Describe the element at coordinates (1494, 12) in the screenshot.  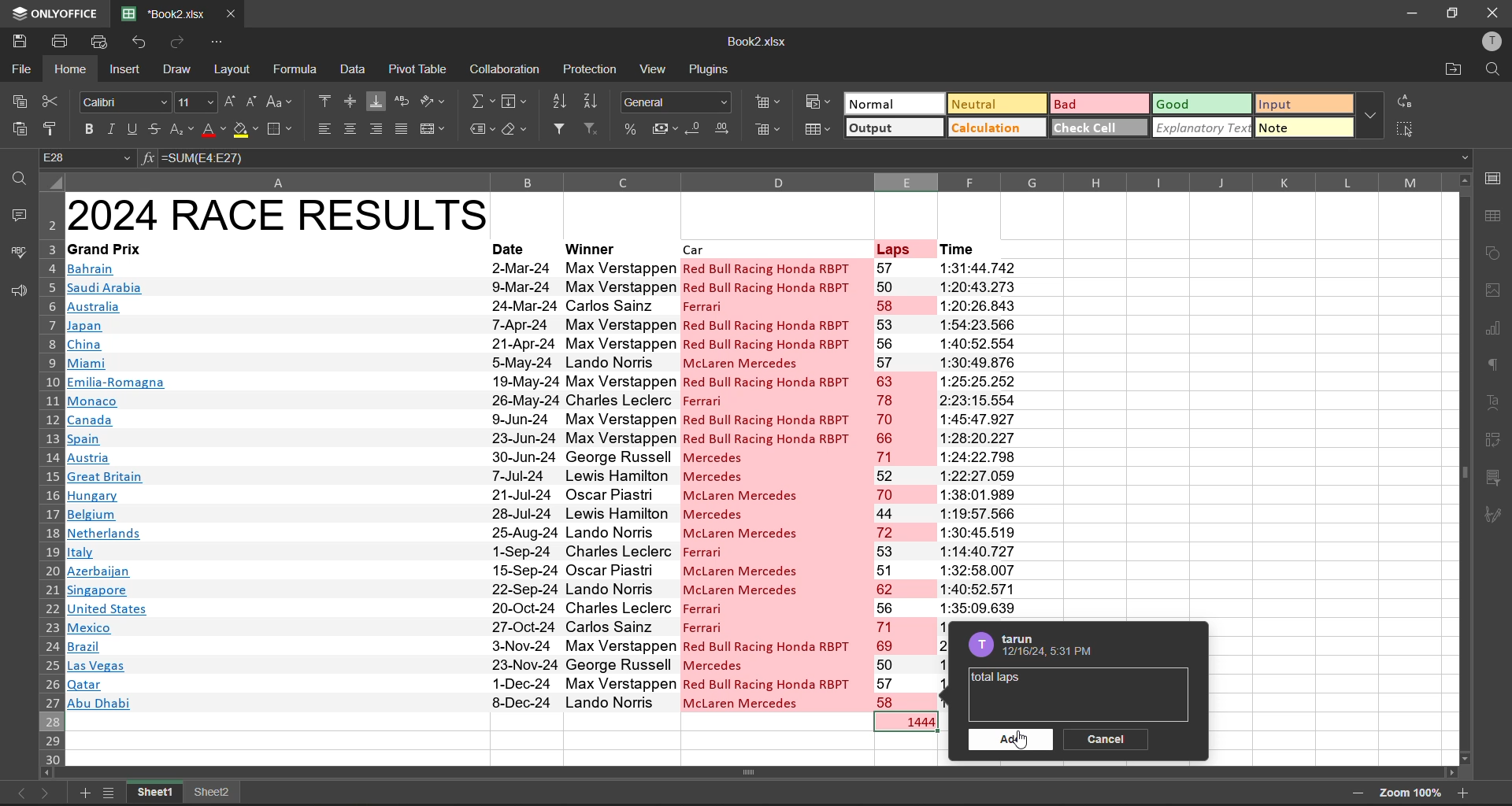
I see `close` at that location.